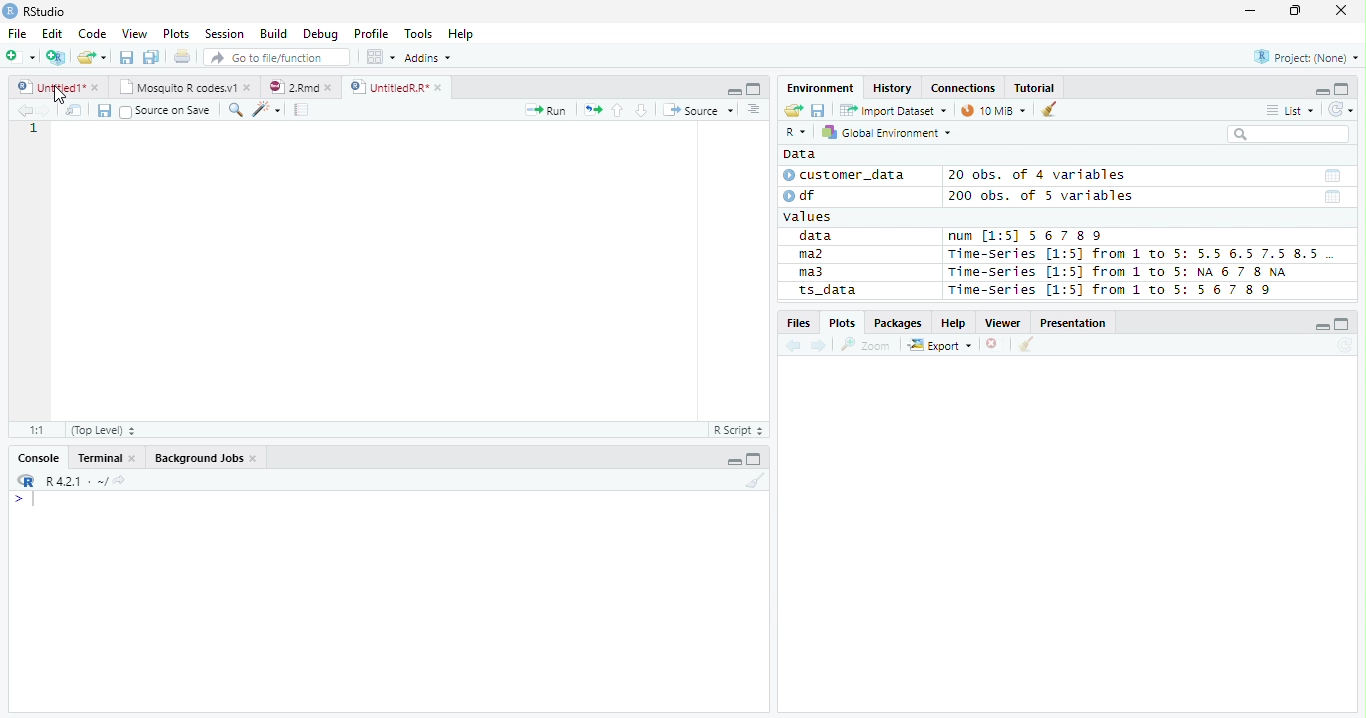  What do you see at coordinates (1035, 87) in the screenshot?
I see `Tutorial` at bounding box center [1035, 87].